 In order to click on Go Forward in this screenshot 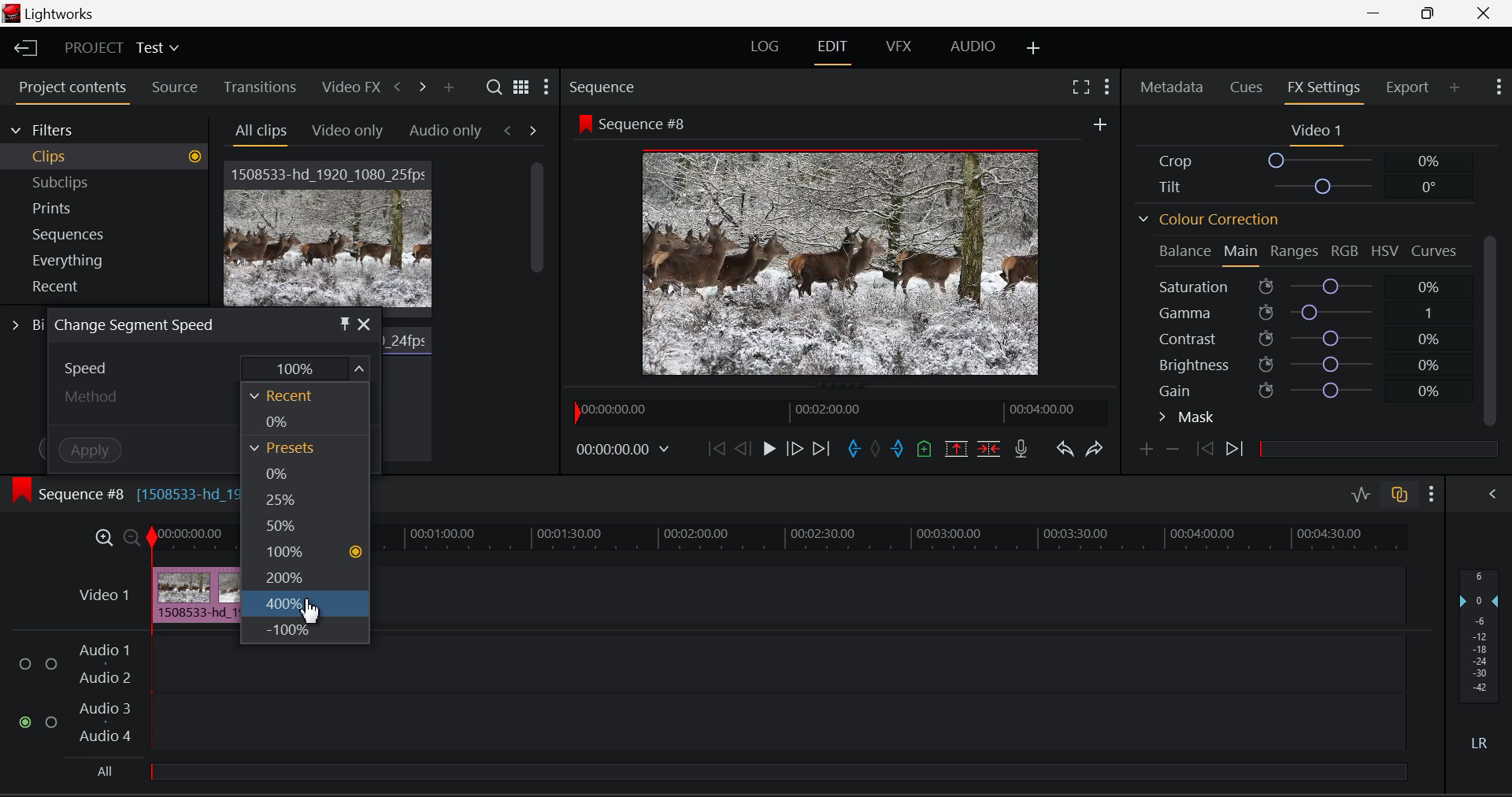, I will do `click(798, 449)`.